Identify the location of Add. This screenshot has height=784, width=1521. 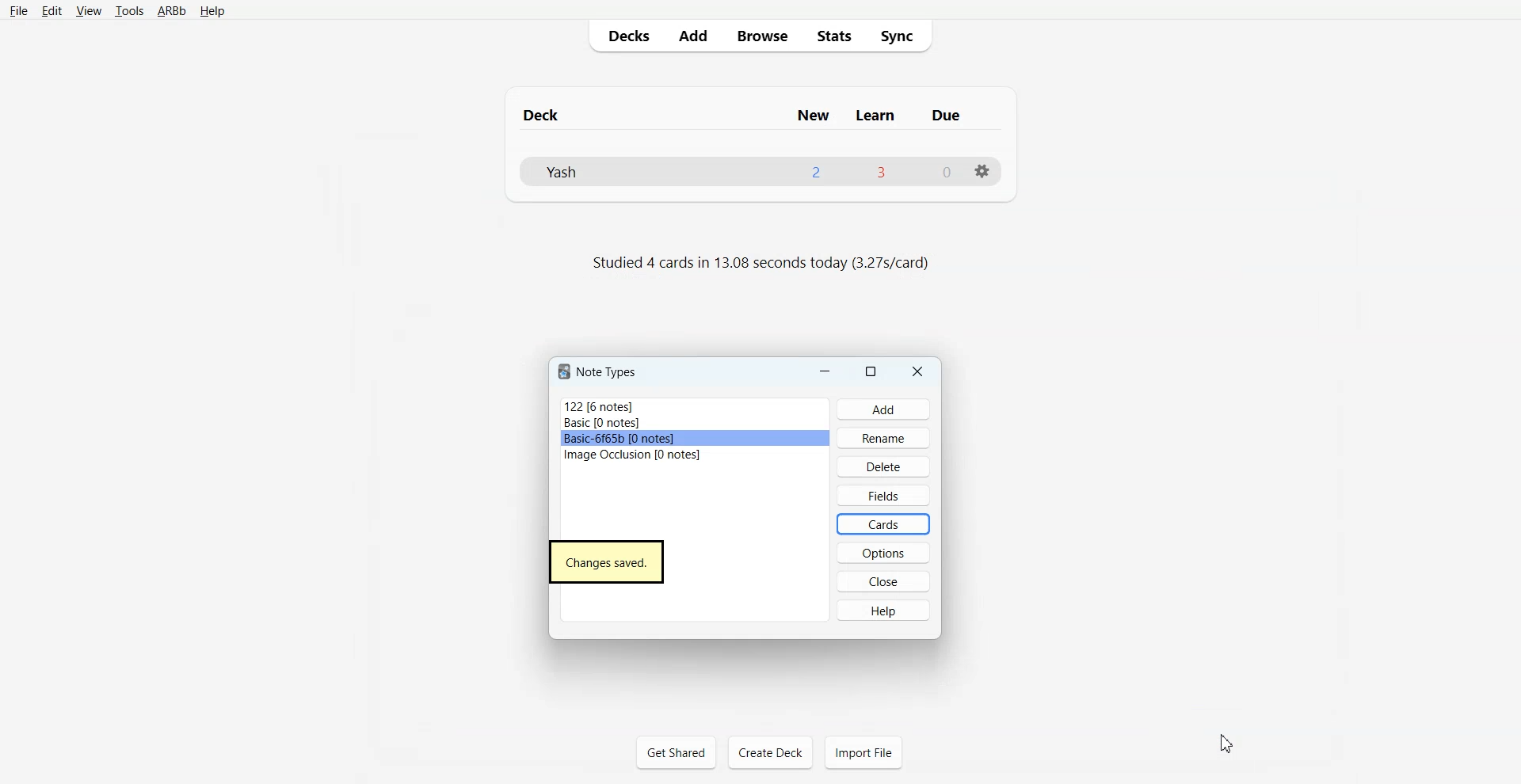
(692, 36).